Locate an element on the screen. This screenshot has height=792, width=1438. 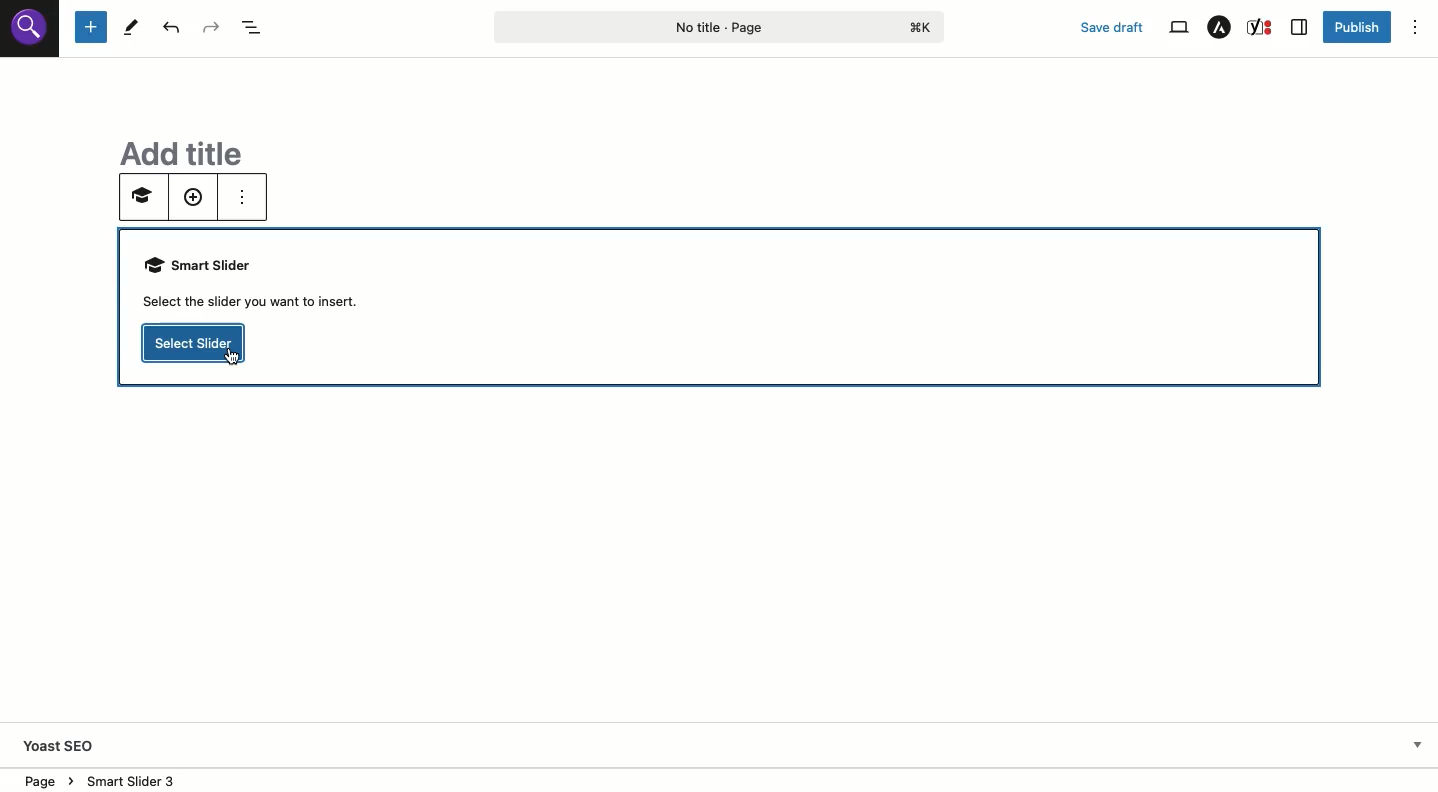
Smart slider is located at coordinates (261, 284).